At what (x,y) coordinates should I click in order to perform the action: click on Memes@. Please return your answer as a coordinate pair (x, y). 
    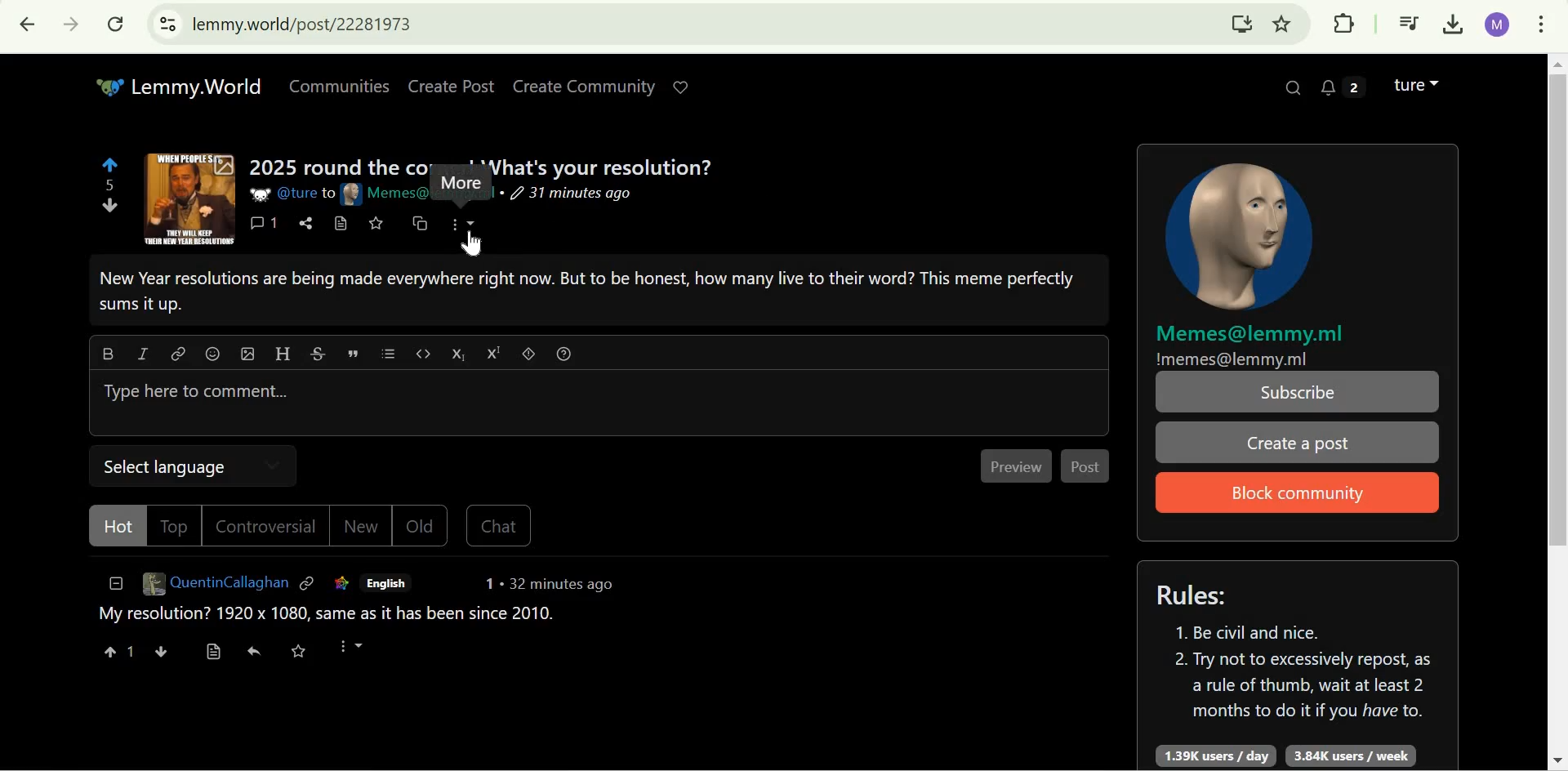
    Looking at the image, I should click on (390, 194).